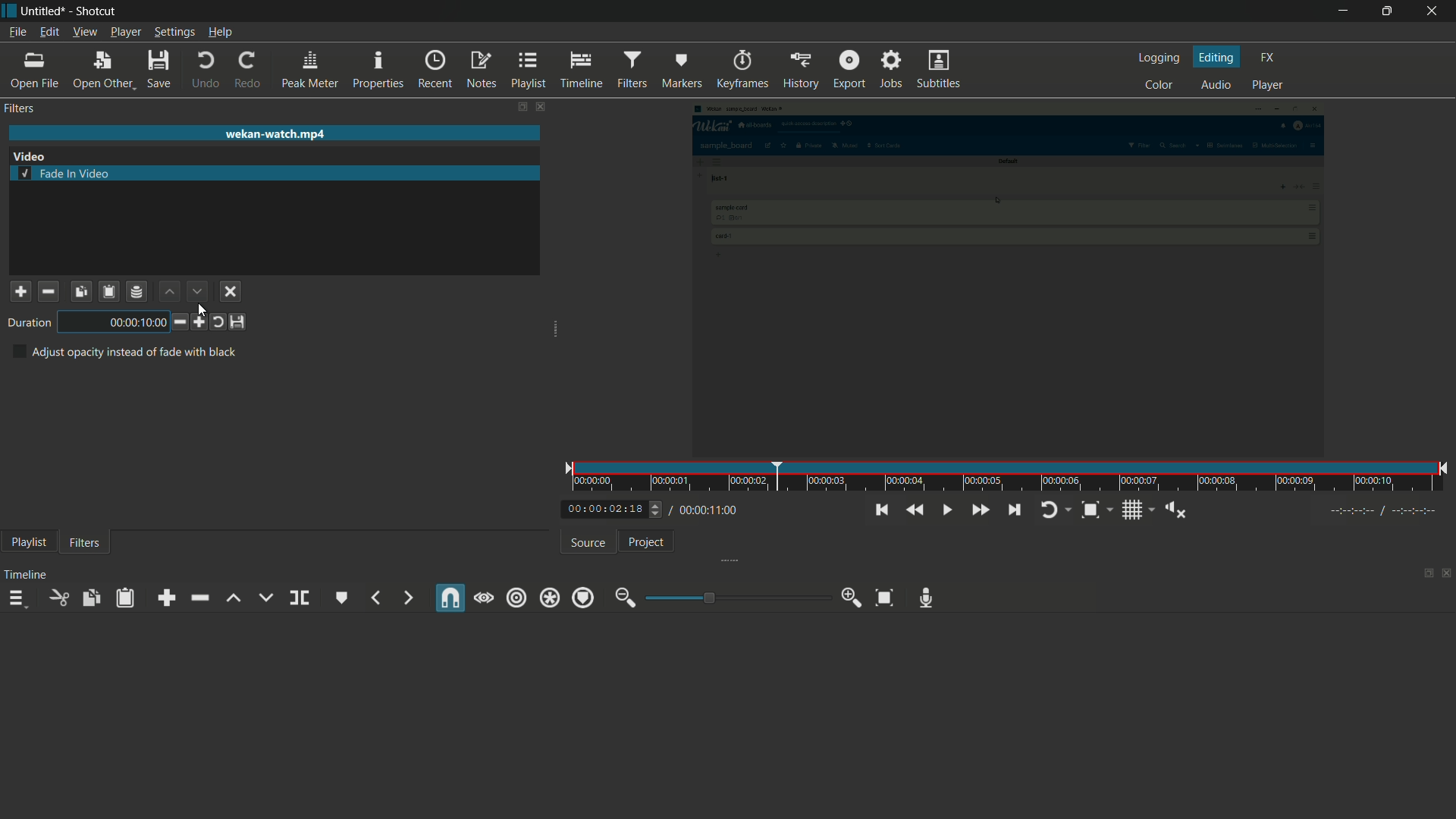  Describe the element at coordinates (27, 323) in the screenshot. I see `duration` at that location.